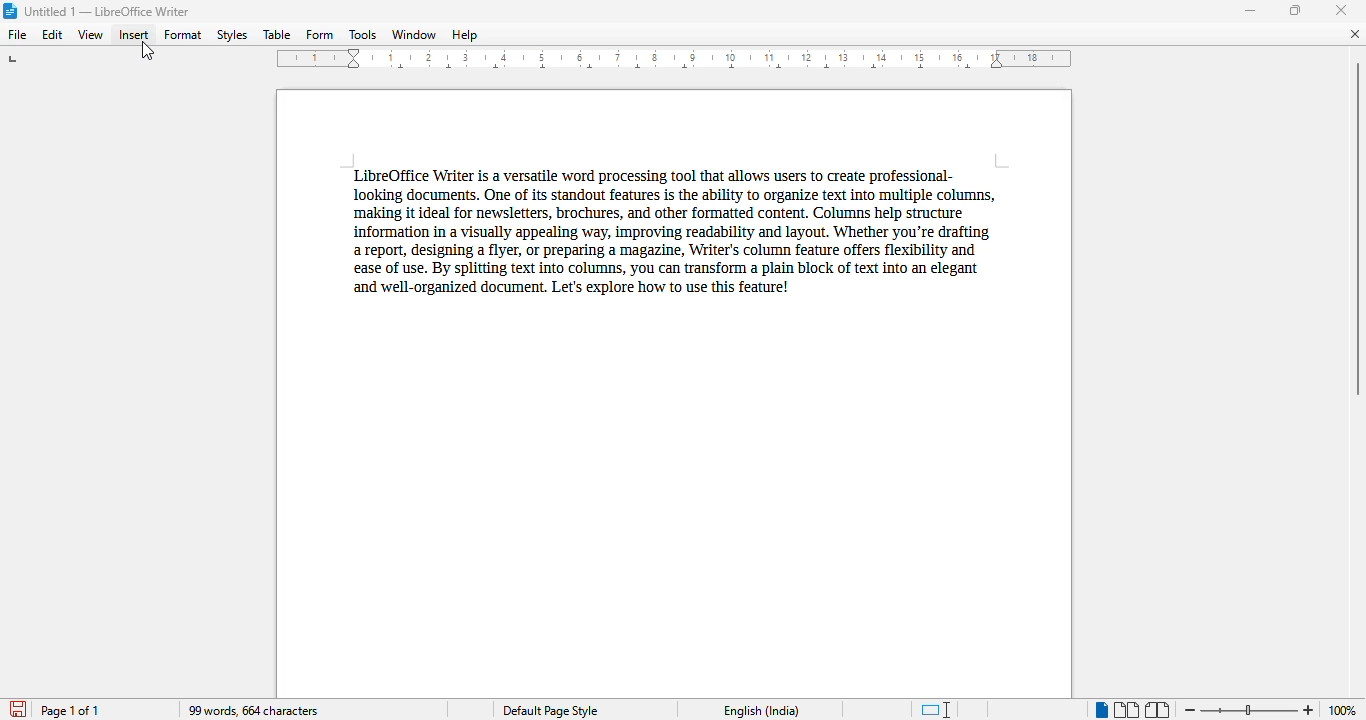 The width and height of the screenshot is (1366, 720). I want to click on insert, so click(135, 35).